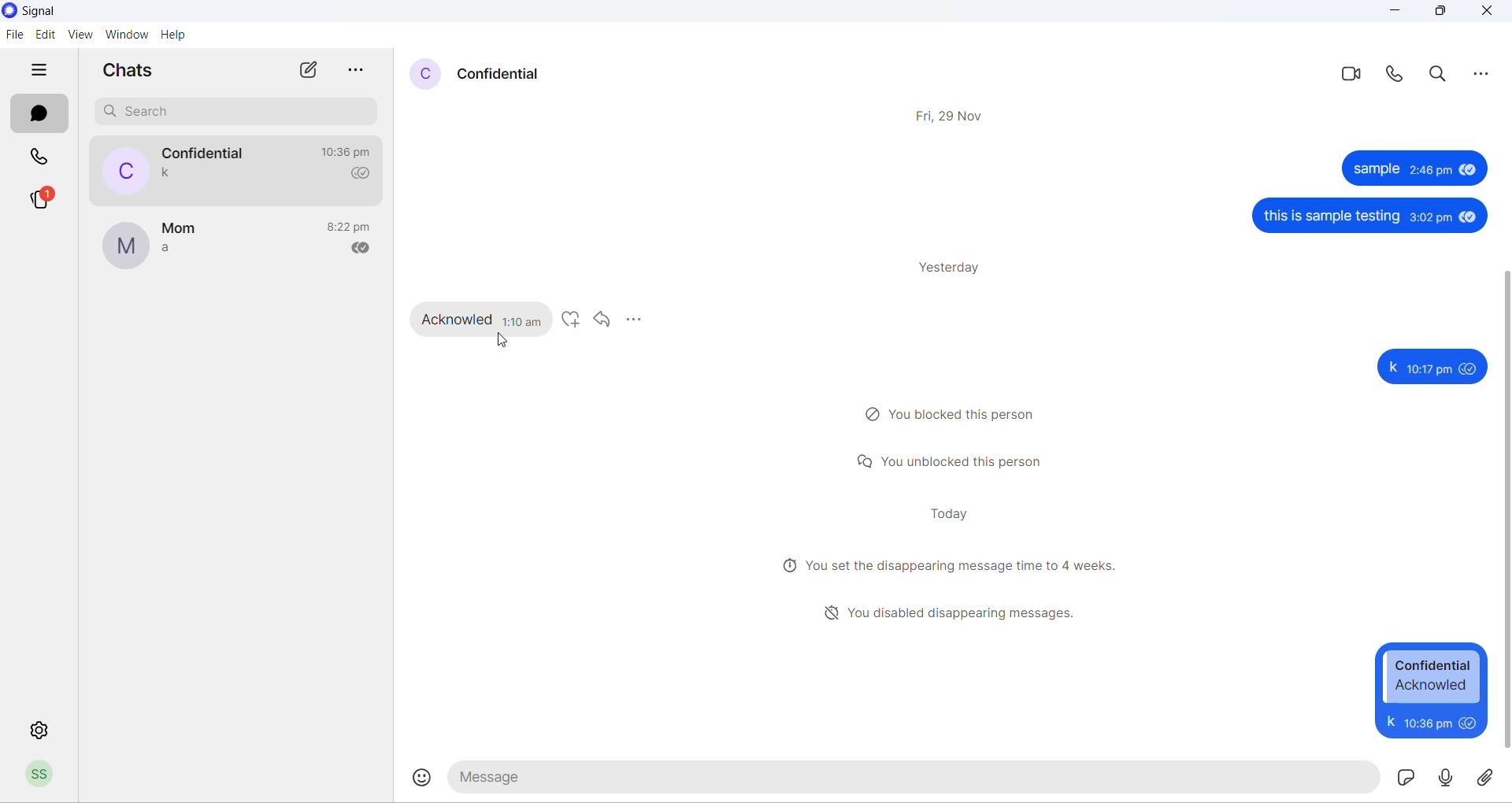 This screenshot has width=1512, height=803. Describe the element at coordinates (573, 320) in the screenshot. I see `like` at that location.